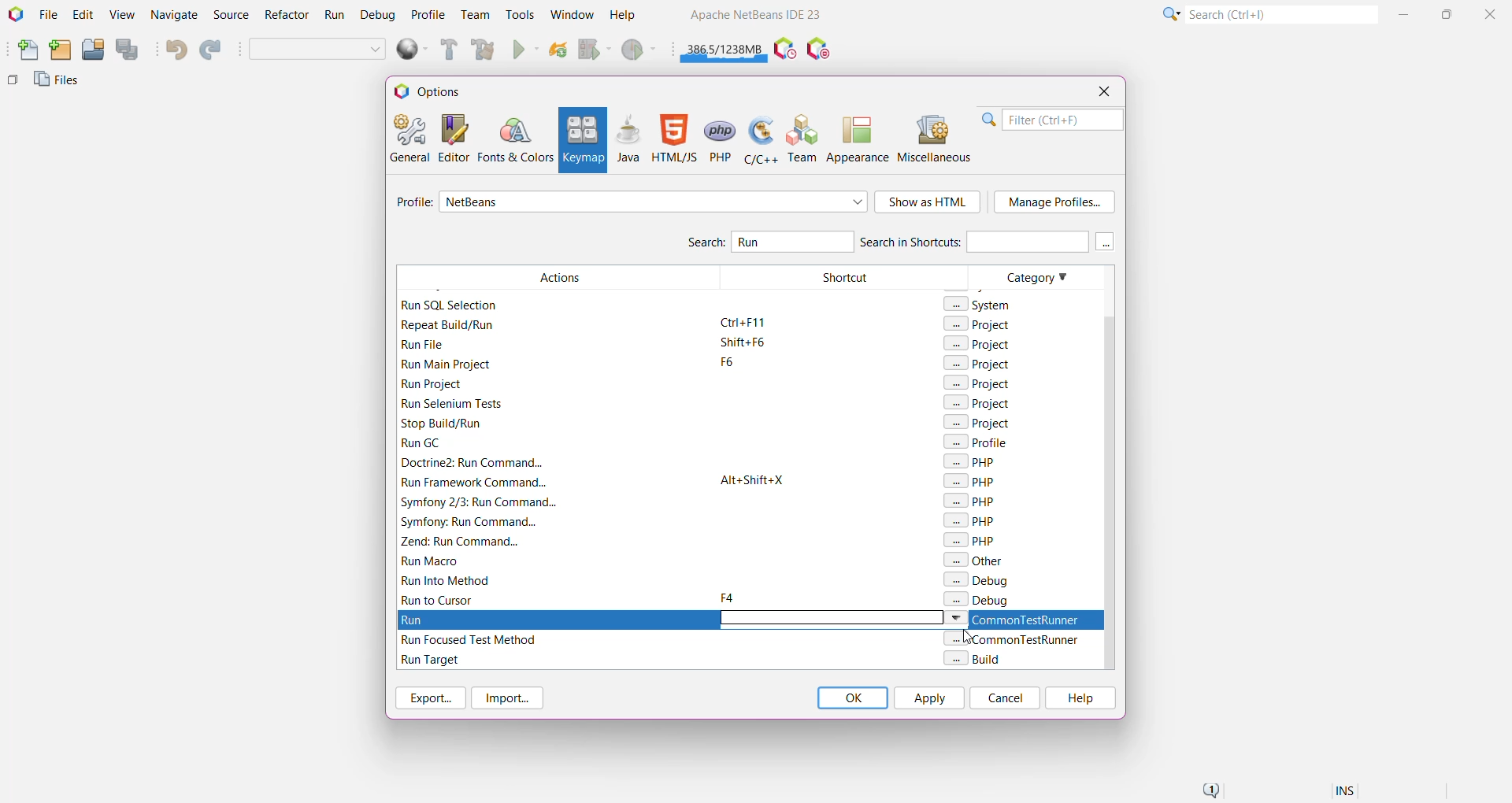  Describe the element at coordinates (555, 649) in the screenshot. I see `Filtered Actions with Run keyword` at that location.